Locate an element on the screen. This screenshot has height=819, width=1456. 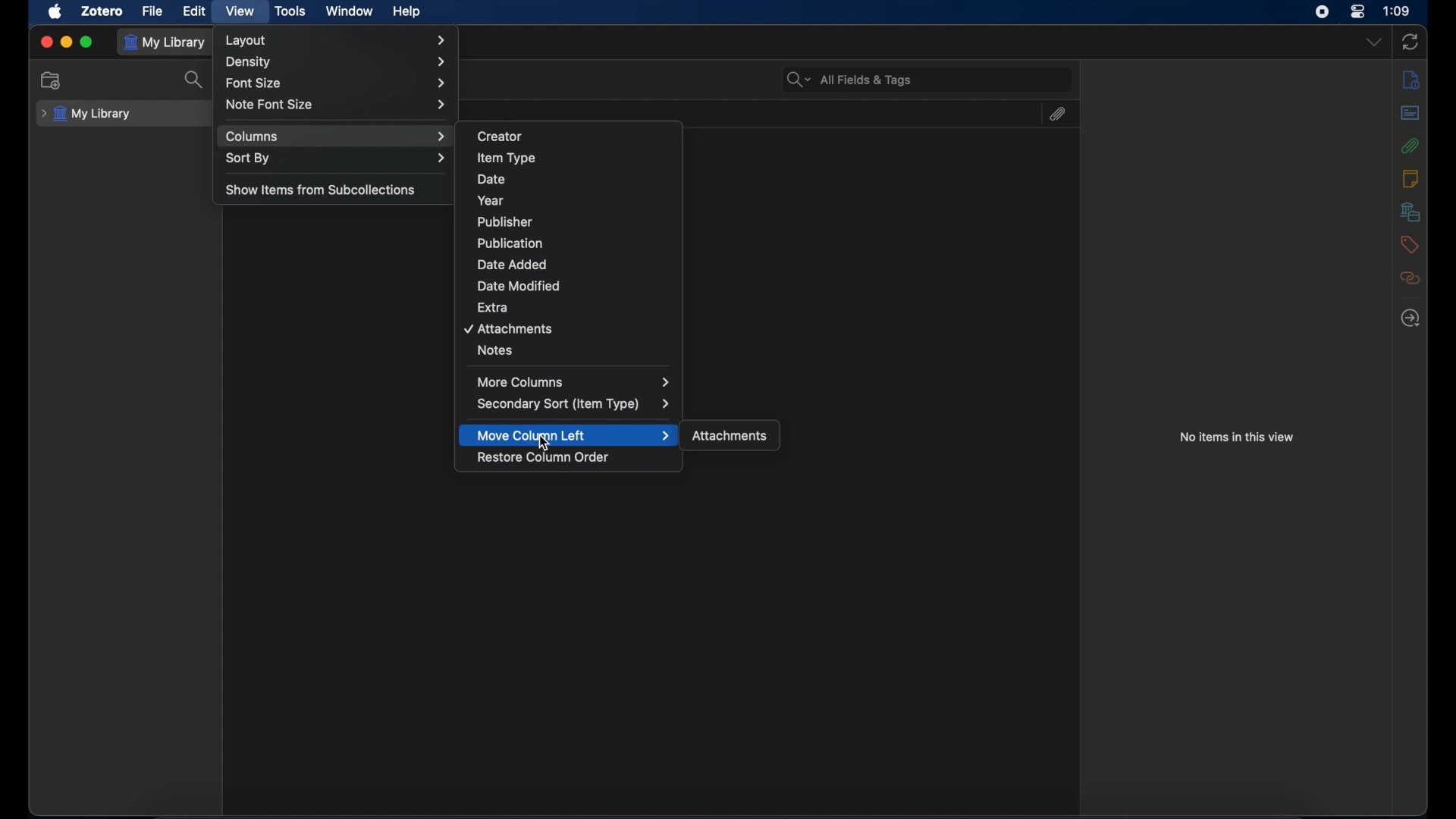
help is located at coordinates (406, 12).